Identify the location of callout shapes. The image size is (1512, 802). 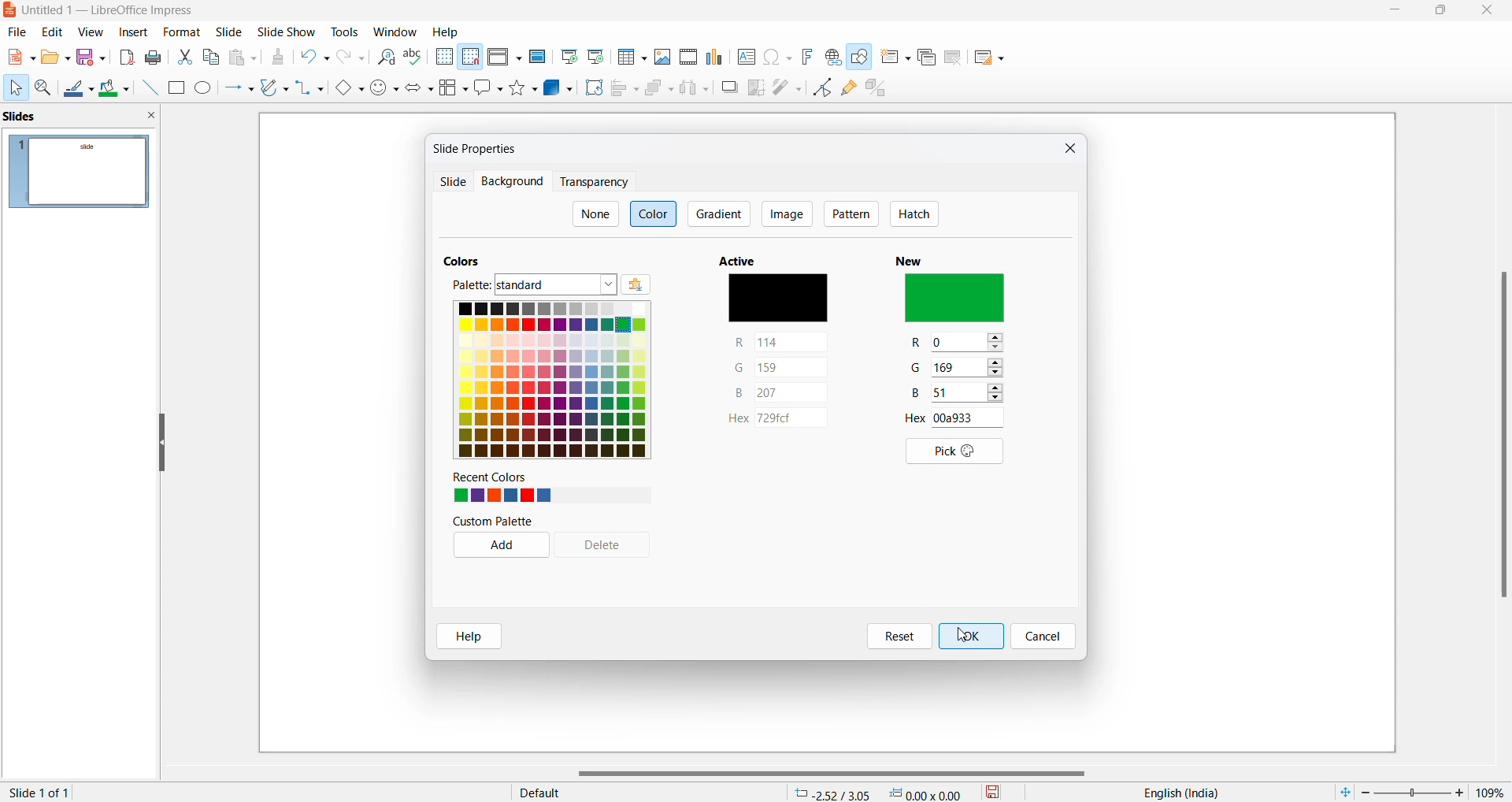
(490, 89).